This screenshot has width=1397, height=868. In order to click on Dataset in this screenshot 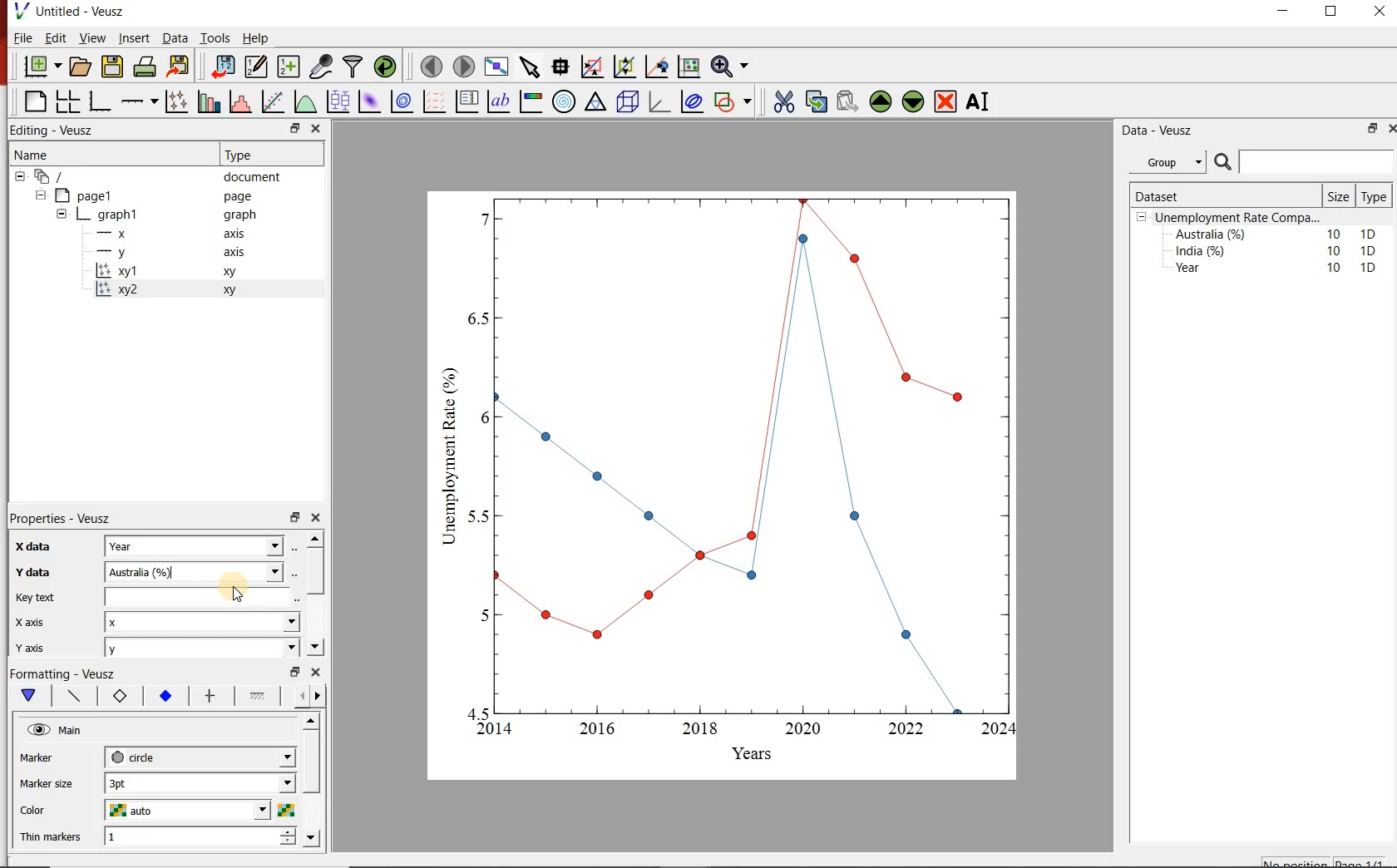, I will do `click(1196, 196)`.